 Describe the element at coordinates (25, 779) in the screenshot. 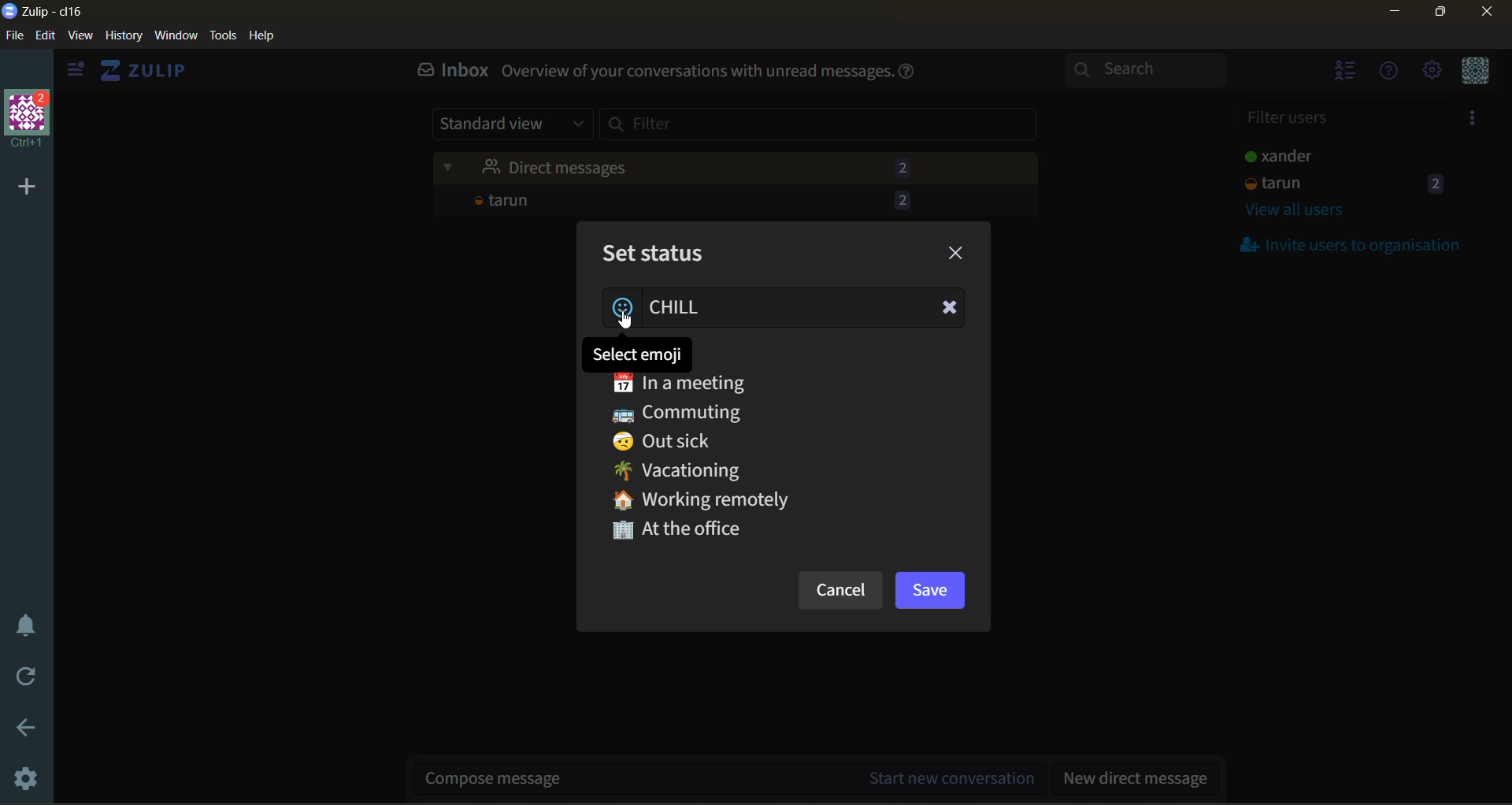

I see `settings` at that location.